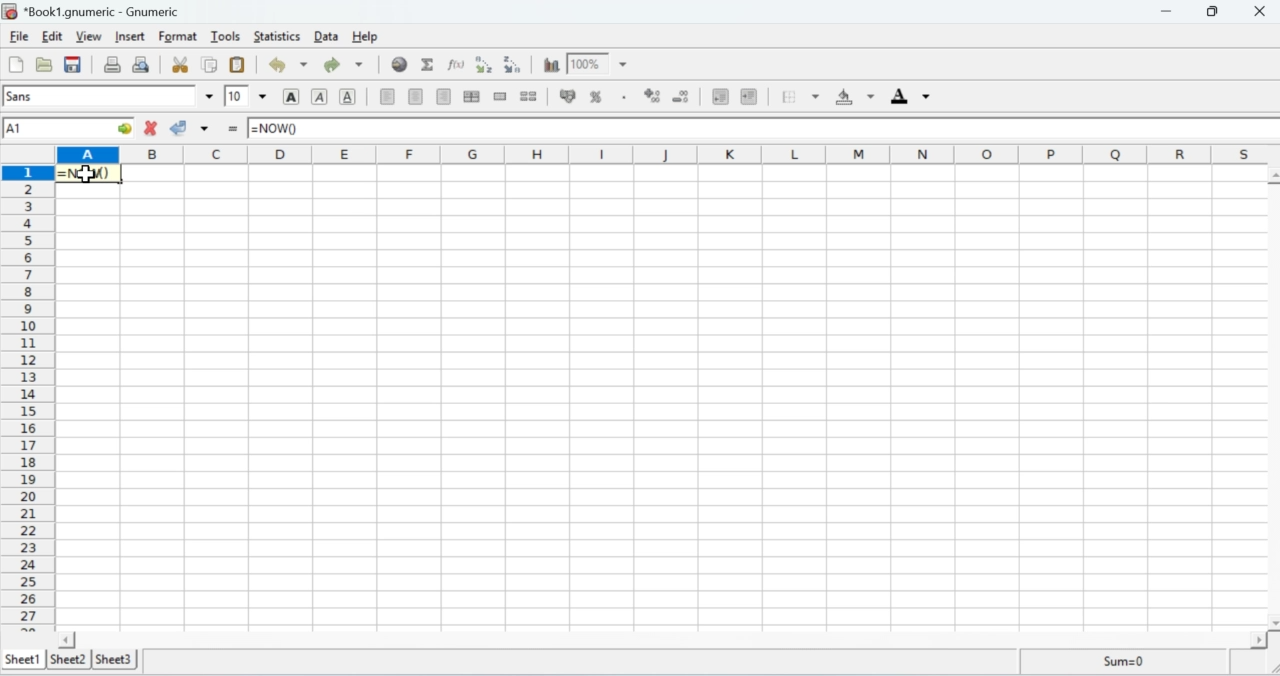  I want to click on Borders, so click(799, 97).